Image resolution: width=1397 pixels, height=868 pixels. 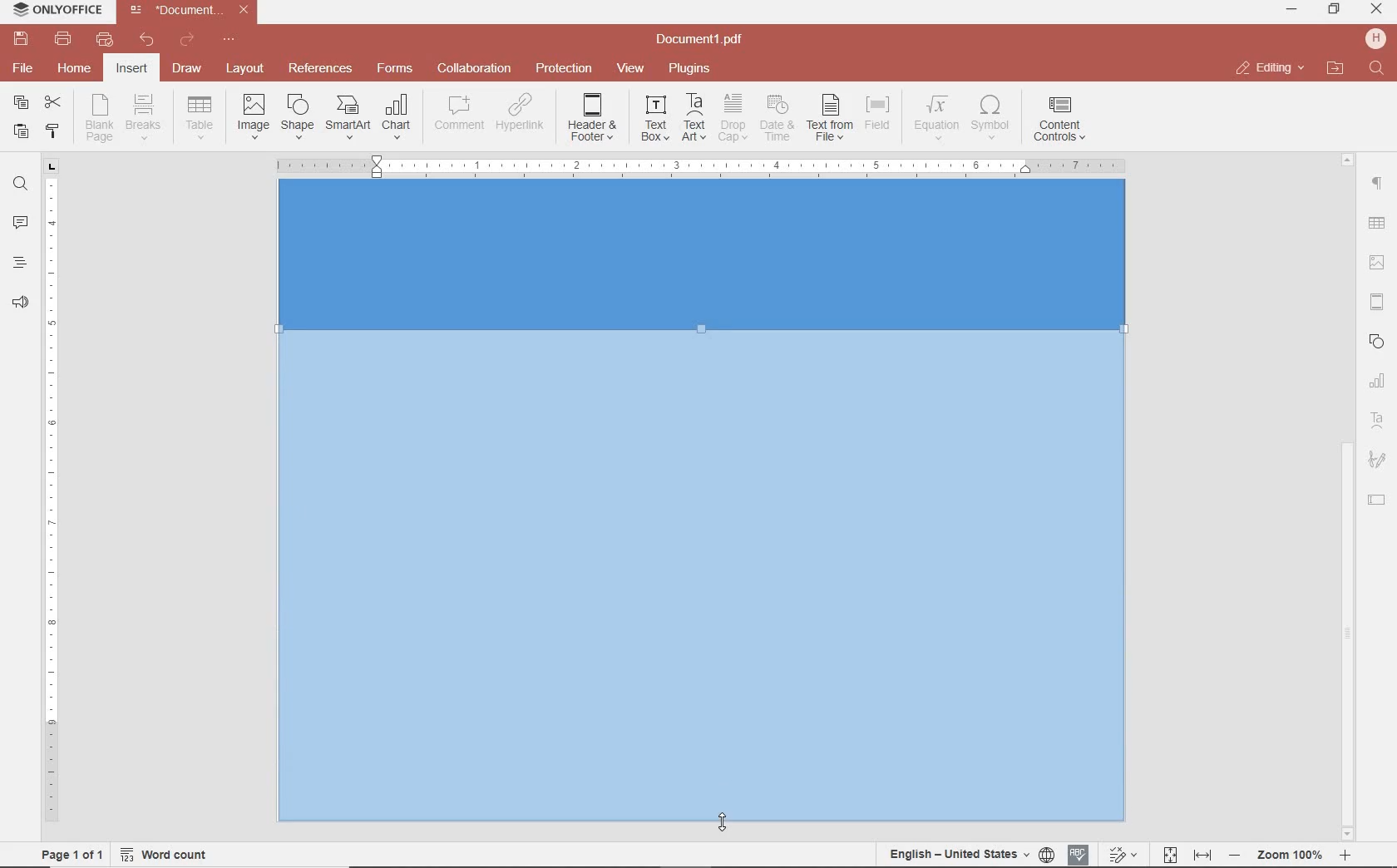 What do you see at coordinates (205, 116) in the screenshot?
I see `insert drop down` at bounding box center [205, 116].